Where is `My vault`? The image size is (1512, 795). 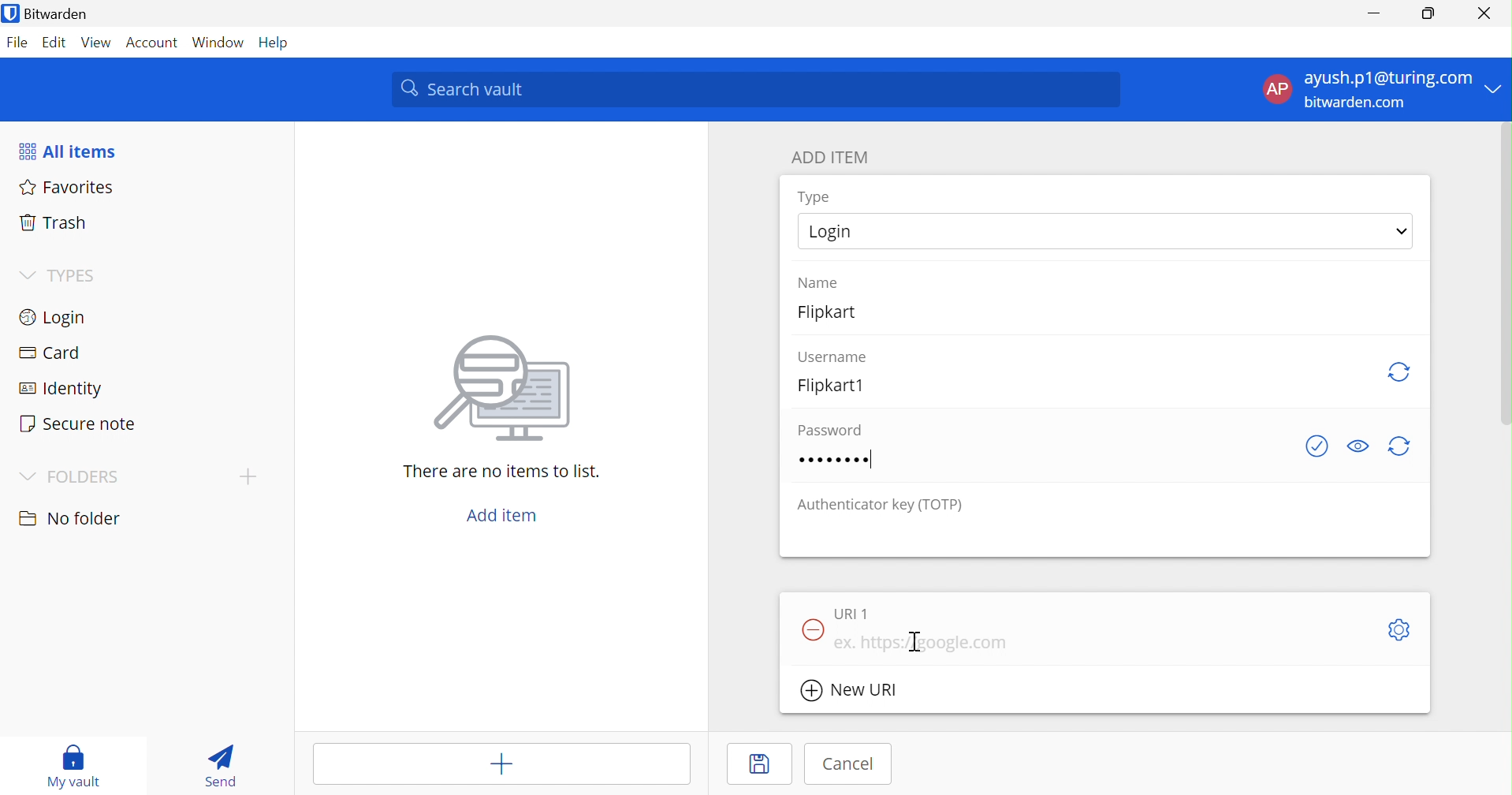
My vault is located at coordinates (76, 765).